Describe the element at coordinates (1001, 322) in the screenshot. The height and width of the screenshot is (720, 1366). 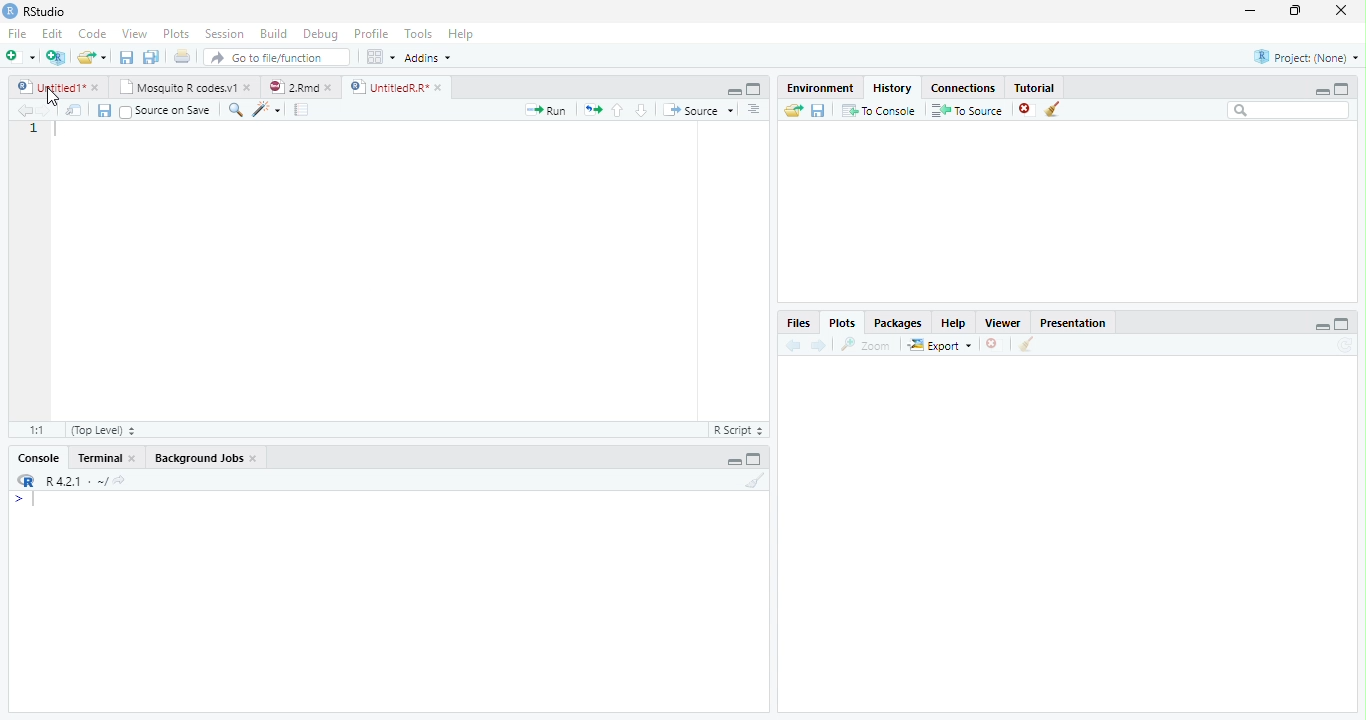
I see `Viewer` at that location.